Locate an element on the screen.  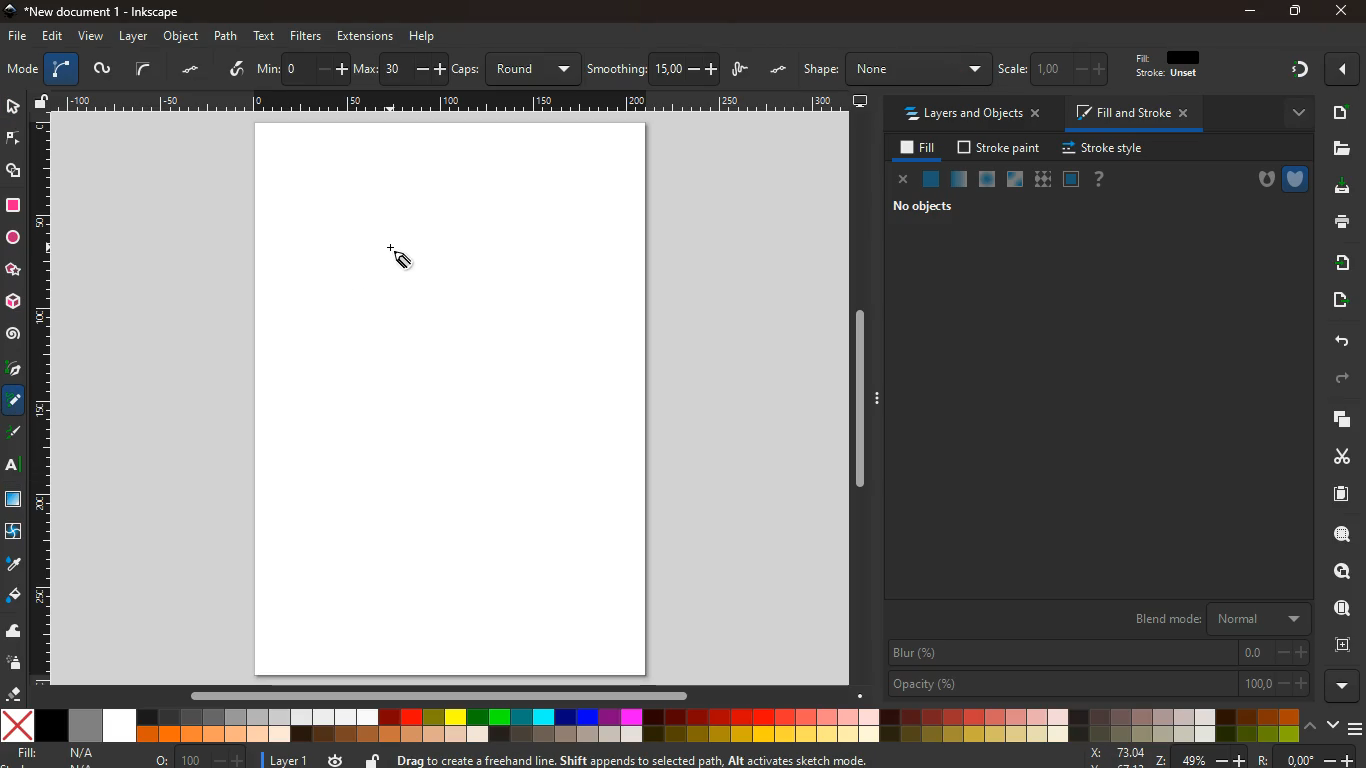
zoom is located at coordinates (1221, 757).